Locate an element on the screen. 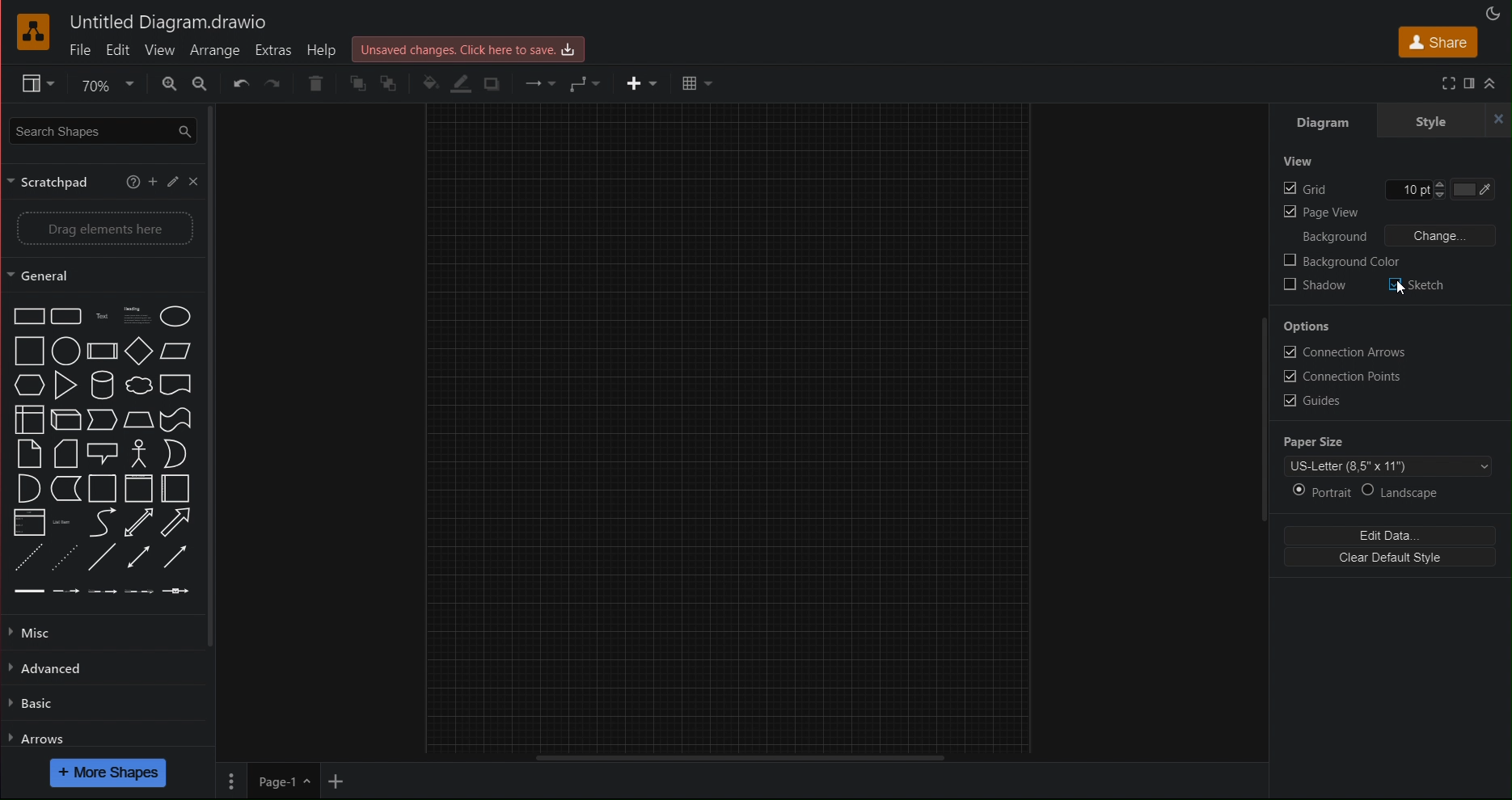 The width and height of the screenshot is (1512, 800). and is located at coordinates (29, 487).